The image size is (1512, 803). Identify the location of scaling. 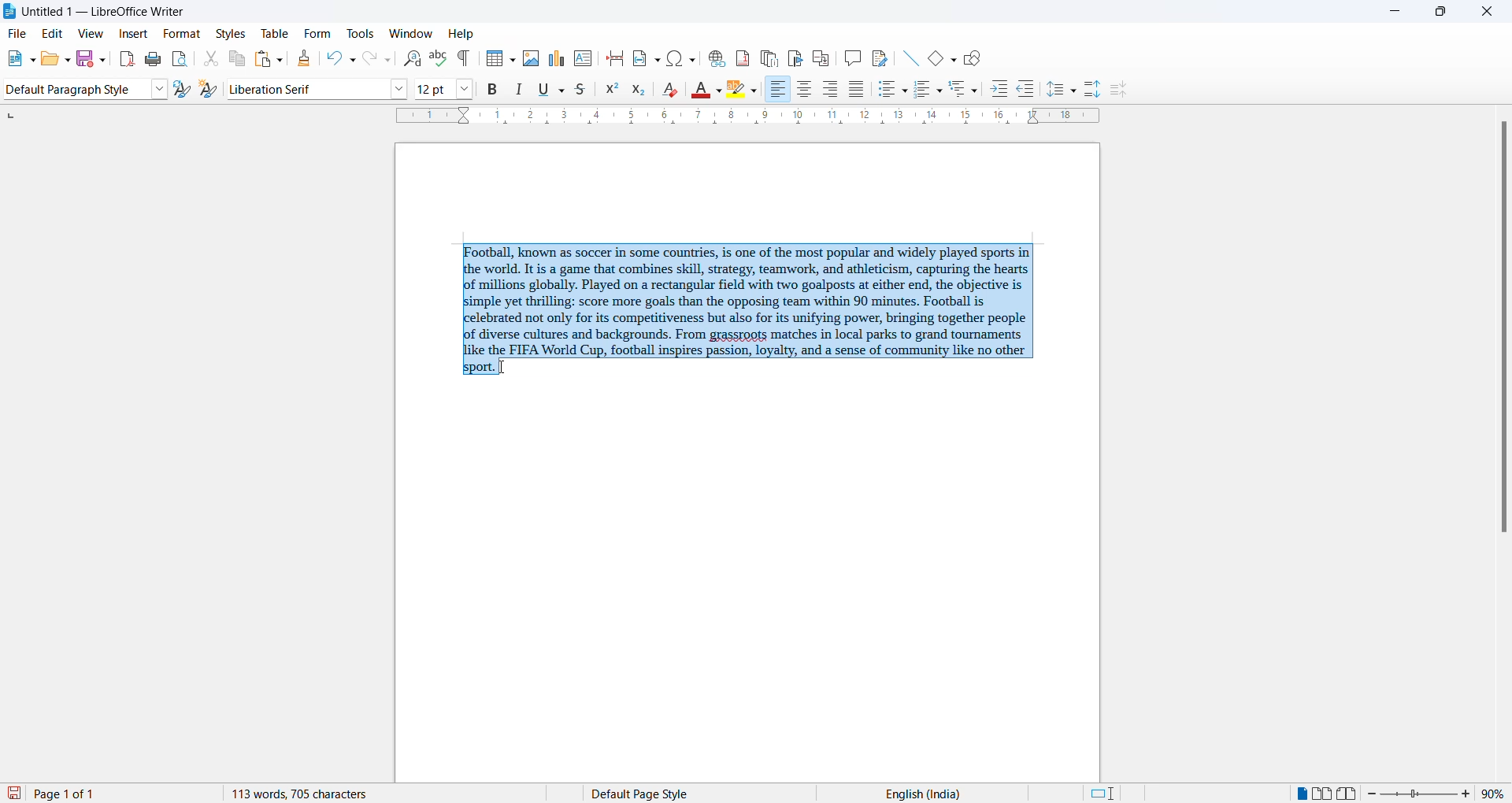
(744, 117).